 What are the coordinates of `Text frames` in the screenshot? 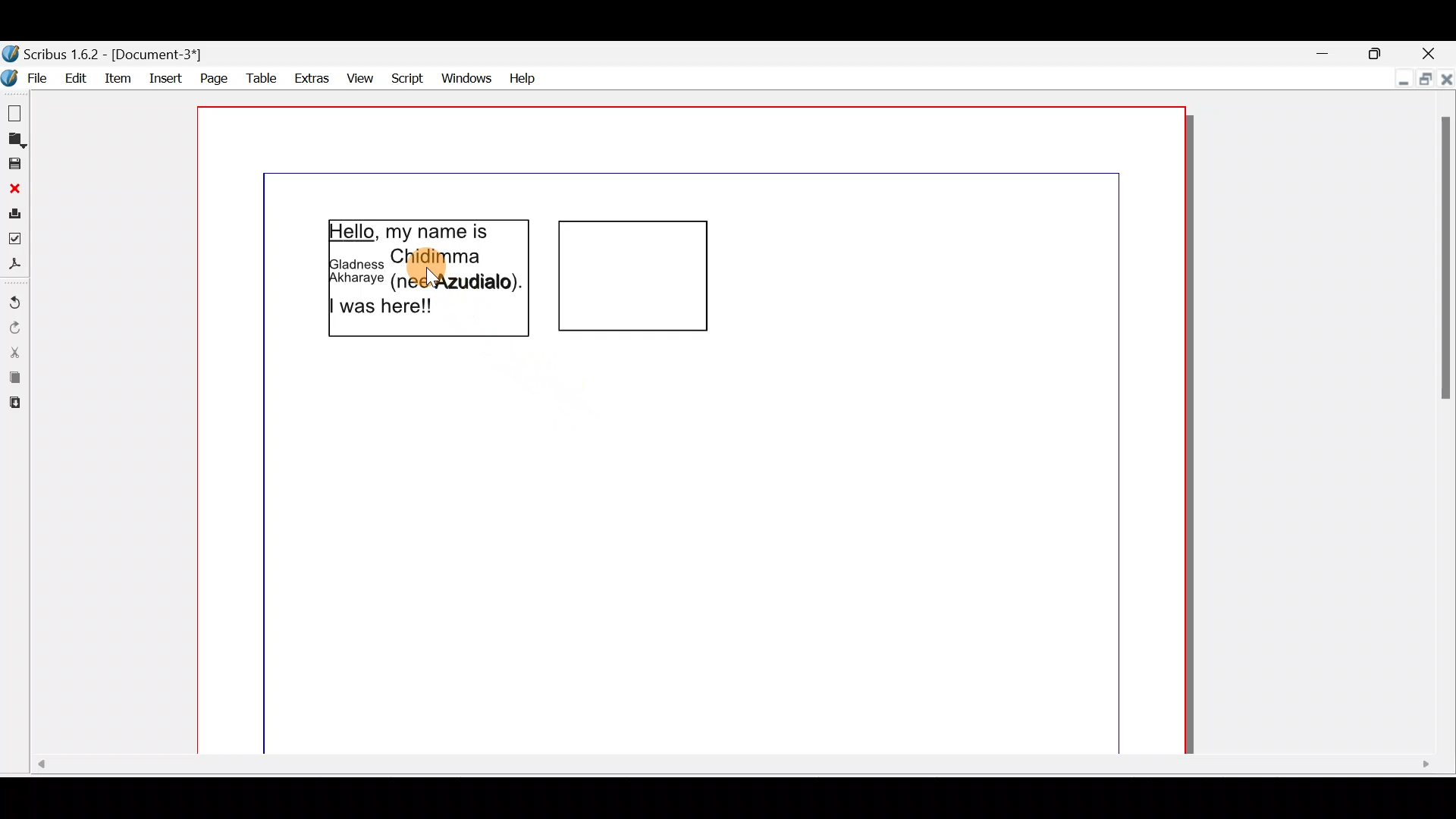 It's located at (598, 283).